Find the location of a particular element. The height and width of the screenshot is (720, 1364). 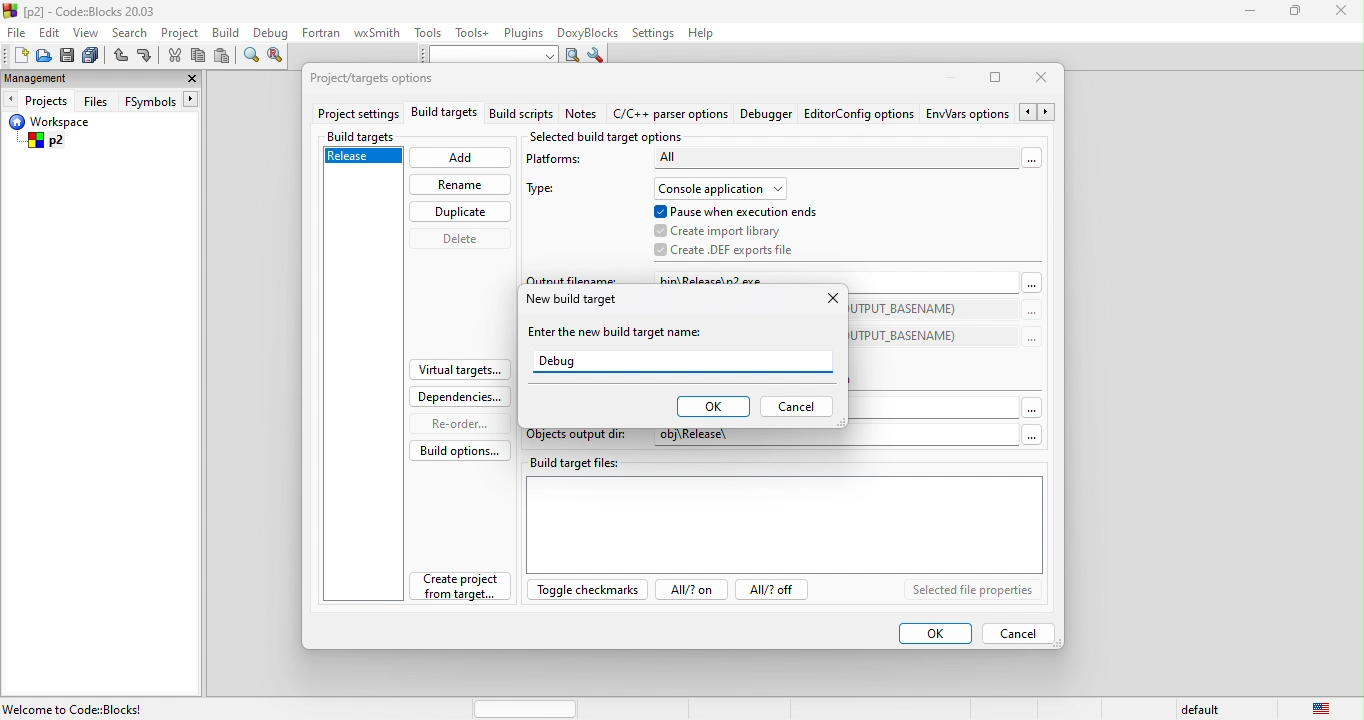

create import library  is located at coordinates (739, 231).